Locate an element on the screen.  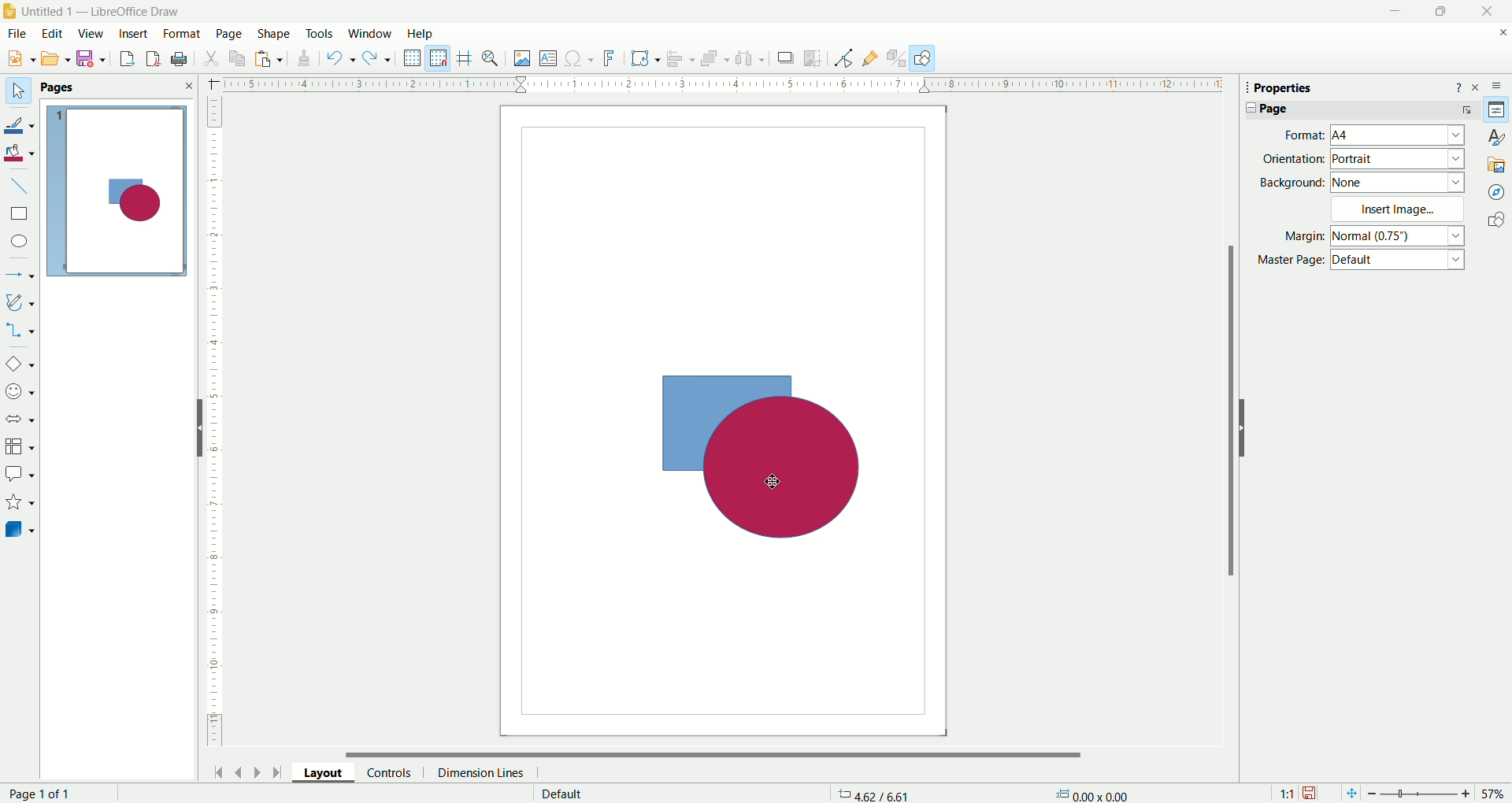
symbol shapes is located at coordinates (20, 391).